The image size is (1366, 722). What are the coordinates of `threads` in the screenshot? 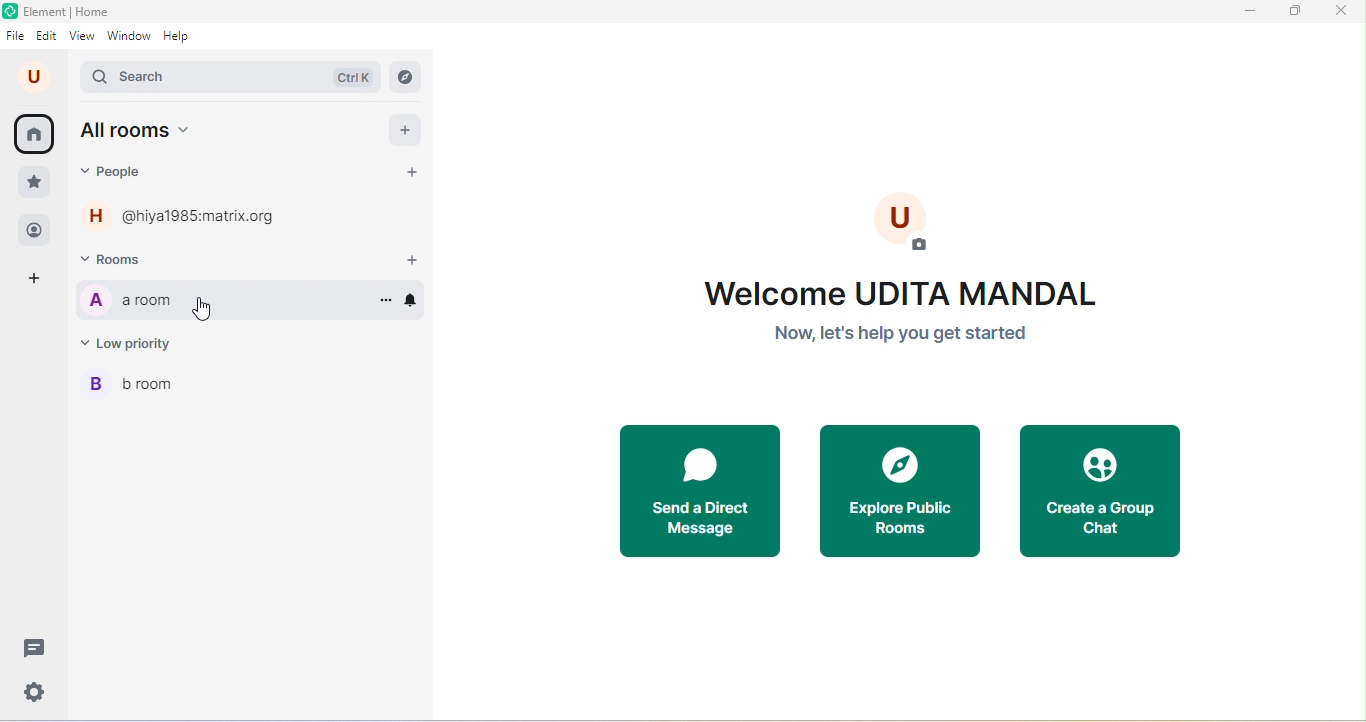 It's located at (35, 649).